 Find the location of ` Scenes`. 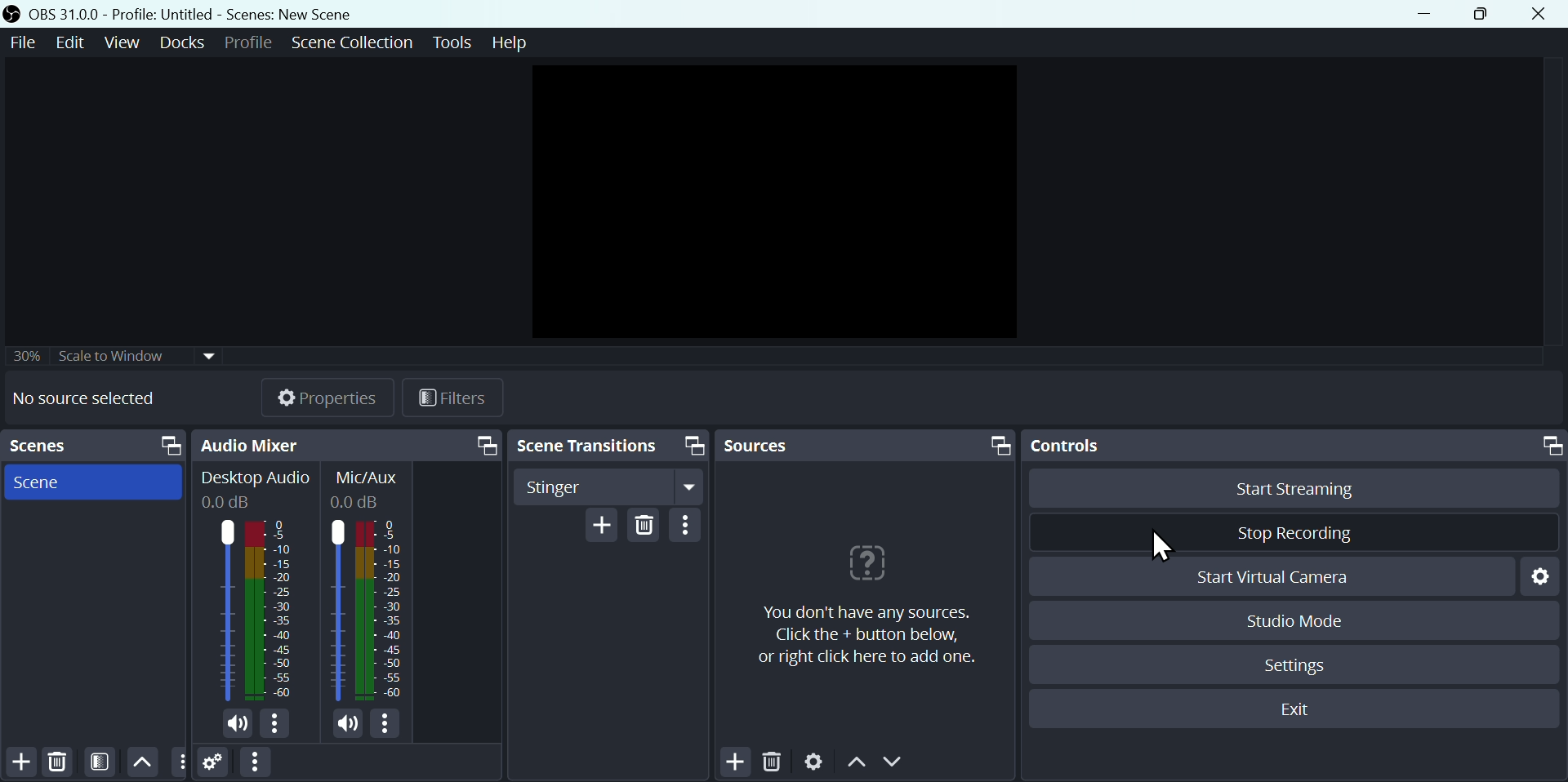

 Scenes is located at coordinates (44, 484).